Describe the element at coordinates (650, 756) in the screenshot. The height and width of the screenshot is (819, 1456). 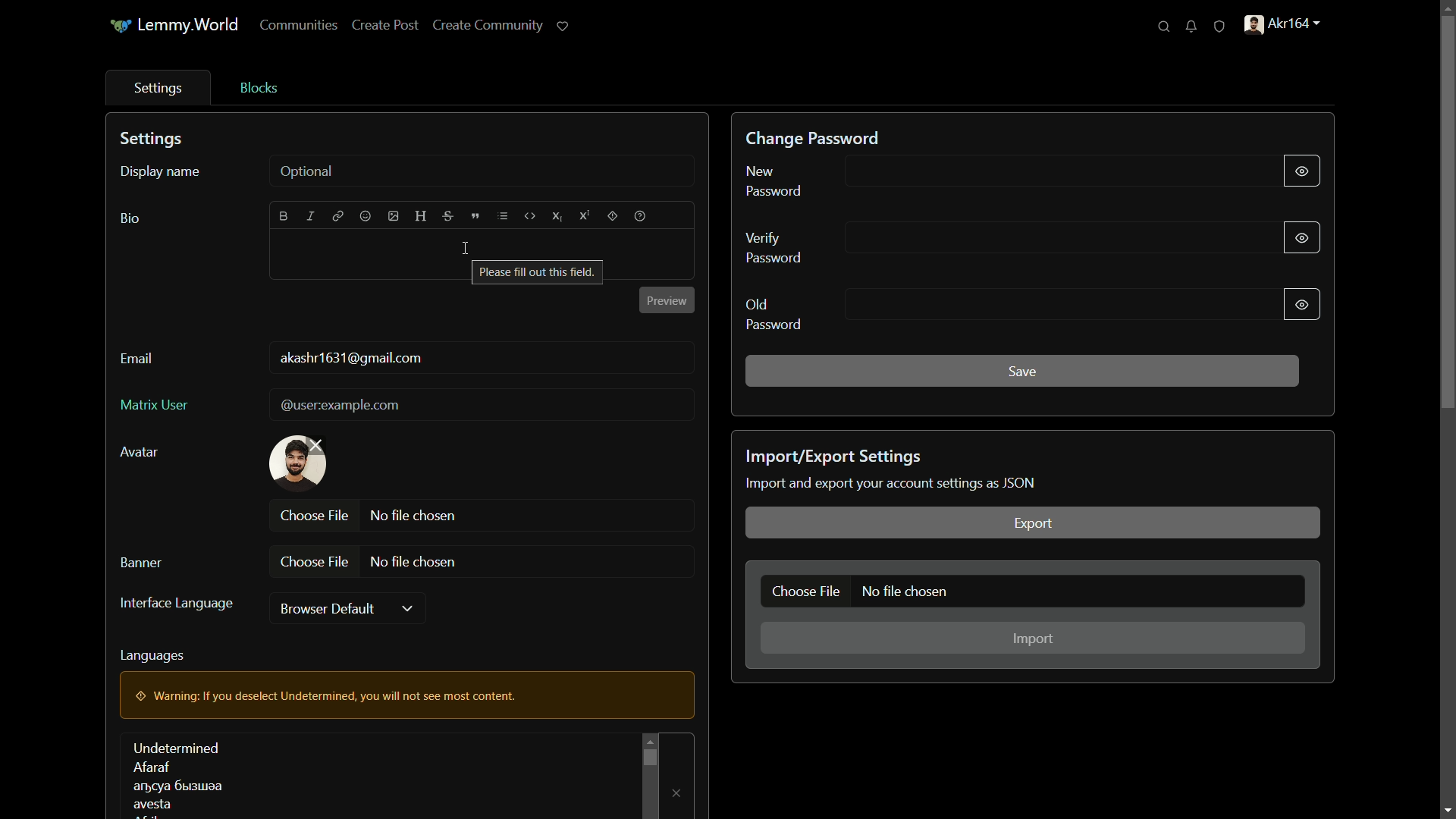
I see `scroll bar` at that location.